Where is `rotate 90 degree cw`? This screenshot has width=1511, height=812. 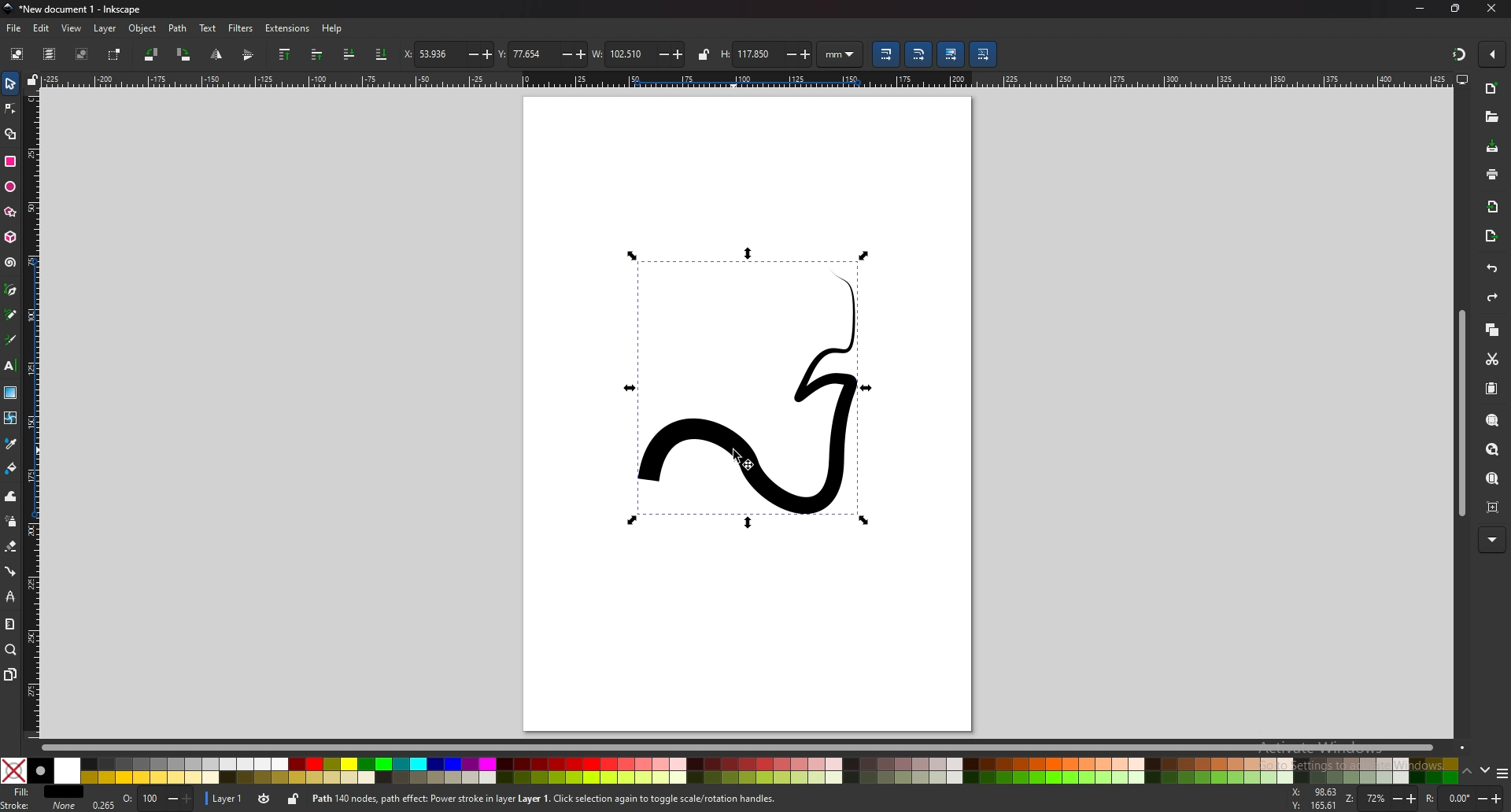 rotate 90 degree cw is located at coordinates (184, 54).